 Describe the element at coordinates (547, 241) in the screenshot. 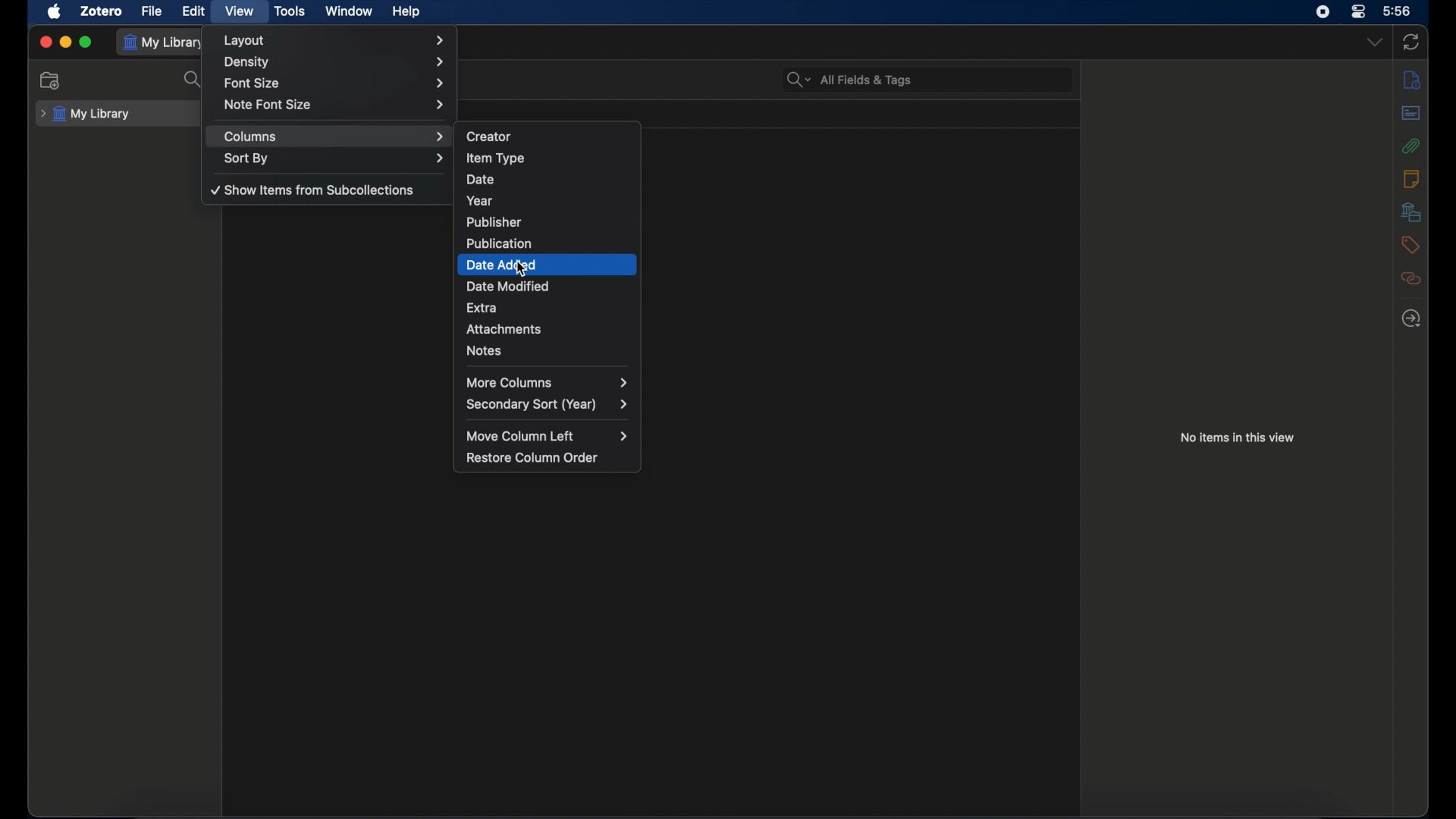

I see `publication` at that location.